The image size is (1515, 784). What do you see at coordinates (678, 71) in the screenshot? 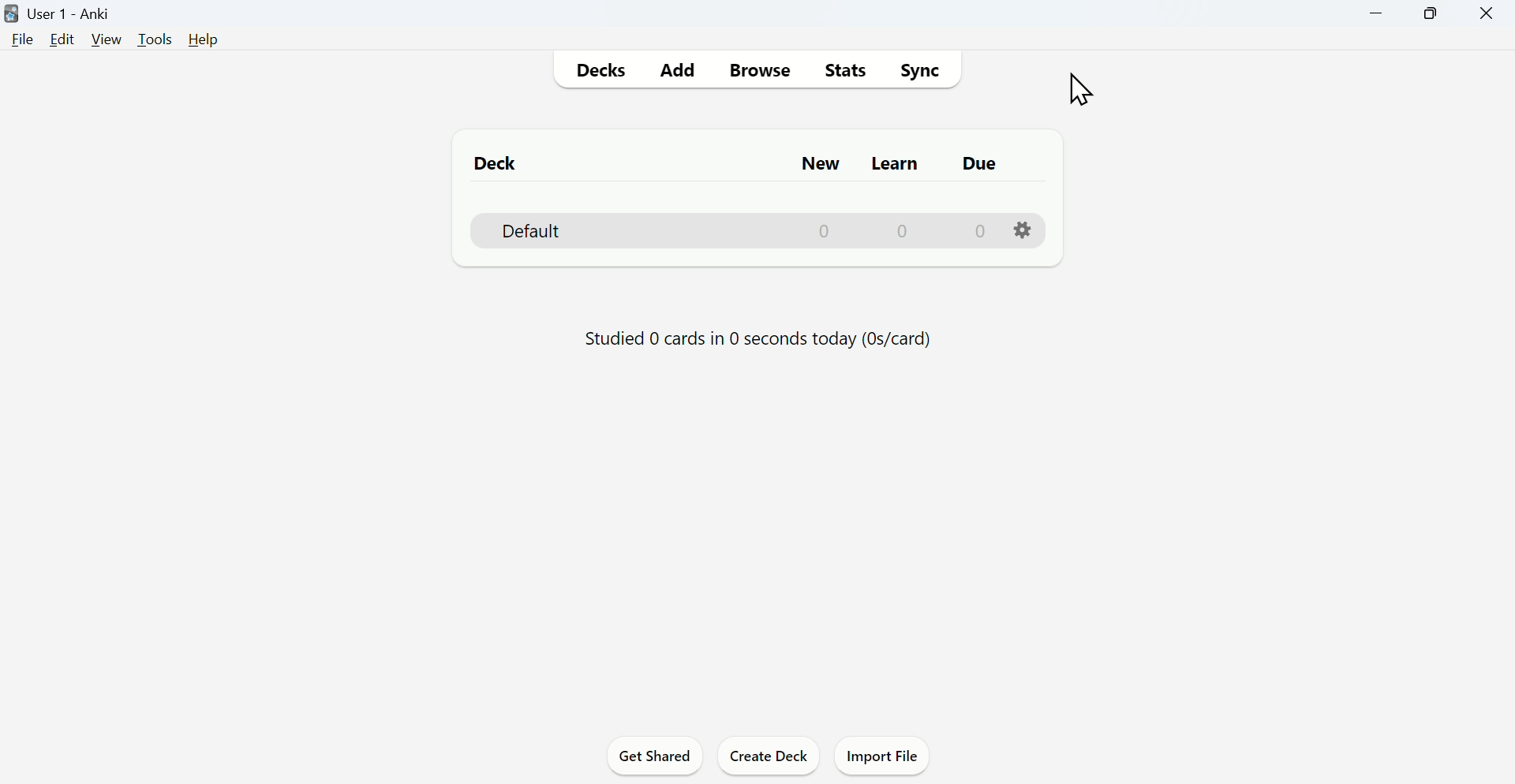
I see `Add` at bounding box center [678, 71].